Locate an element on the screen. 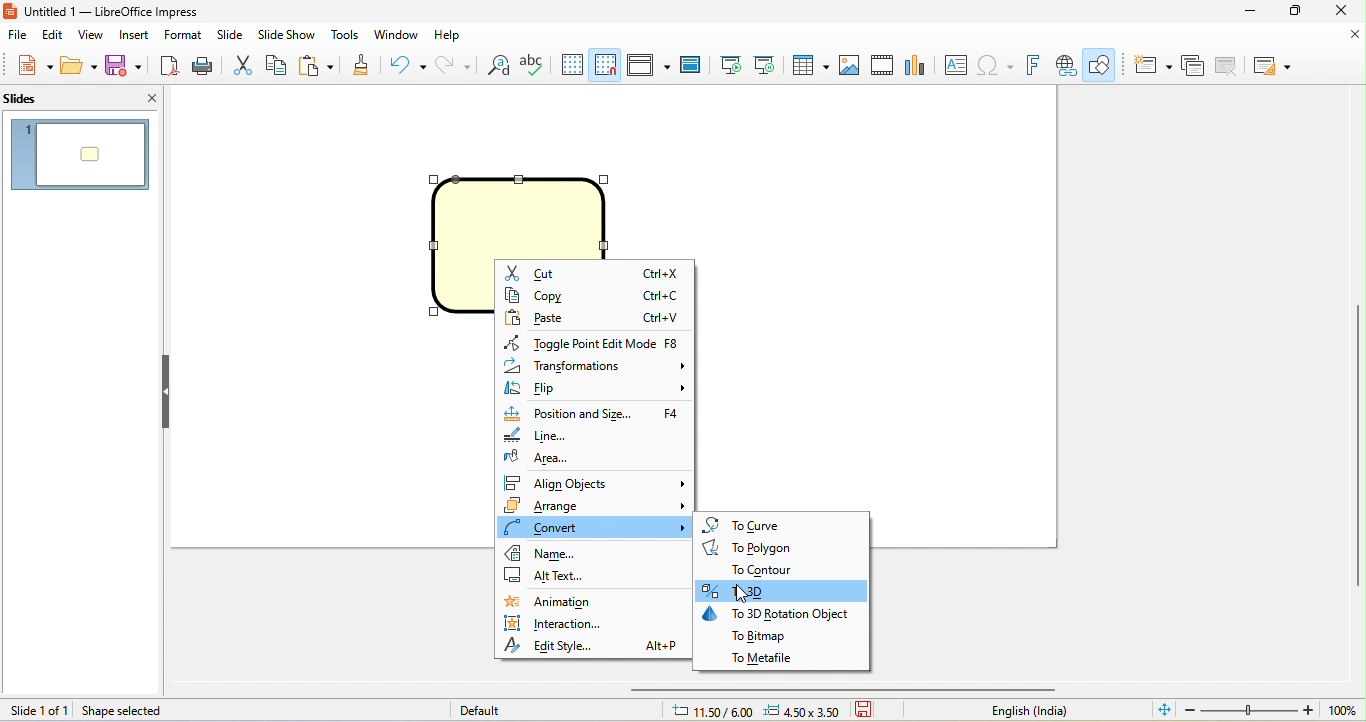 This screenshot has height=722, width=1366. file is located at coordinates (16, 33).